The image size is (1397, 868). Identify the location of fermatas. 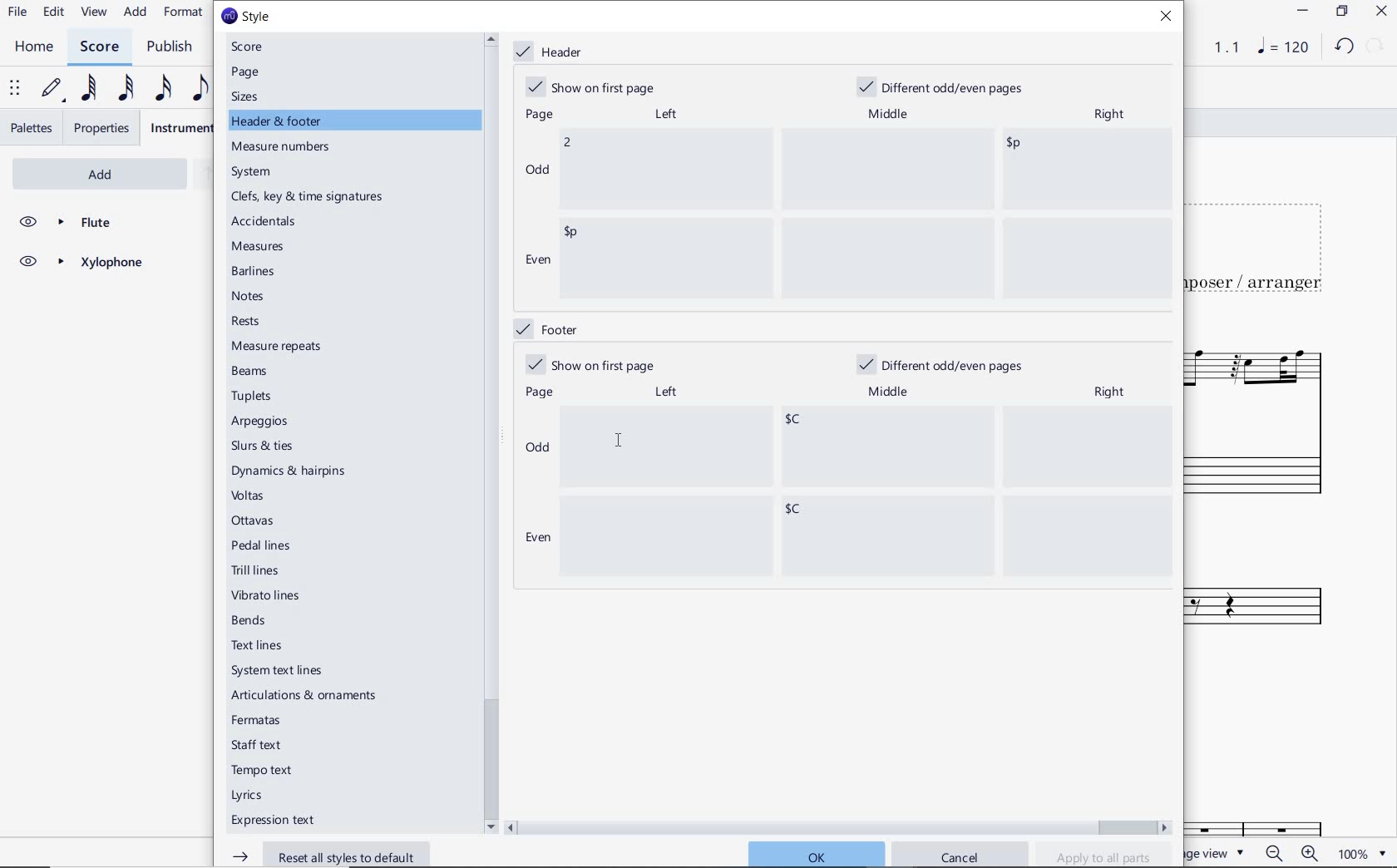
(254, 721).